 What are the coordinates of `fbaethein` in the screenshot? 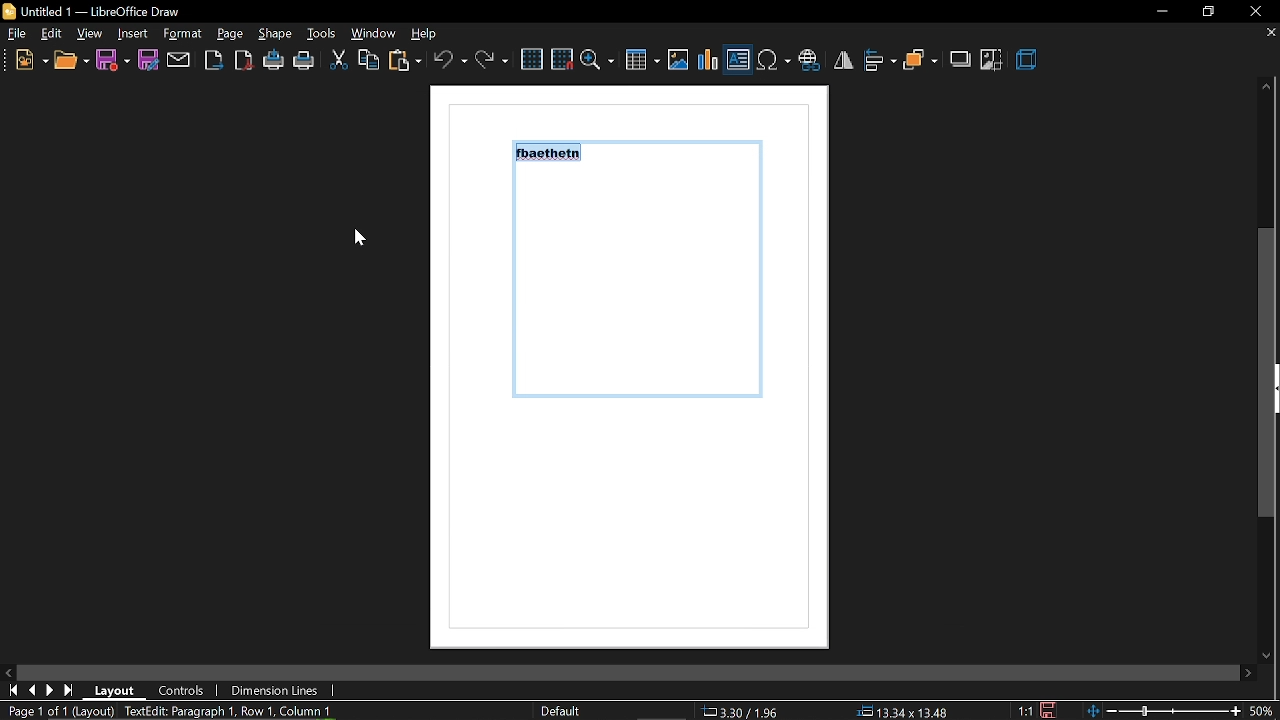 It's located at (545, 154).